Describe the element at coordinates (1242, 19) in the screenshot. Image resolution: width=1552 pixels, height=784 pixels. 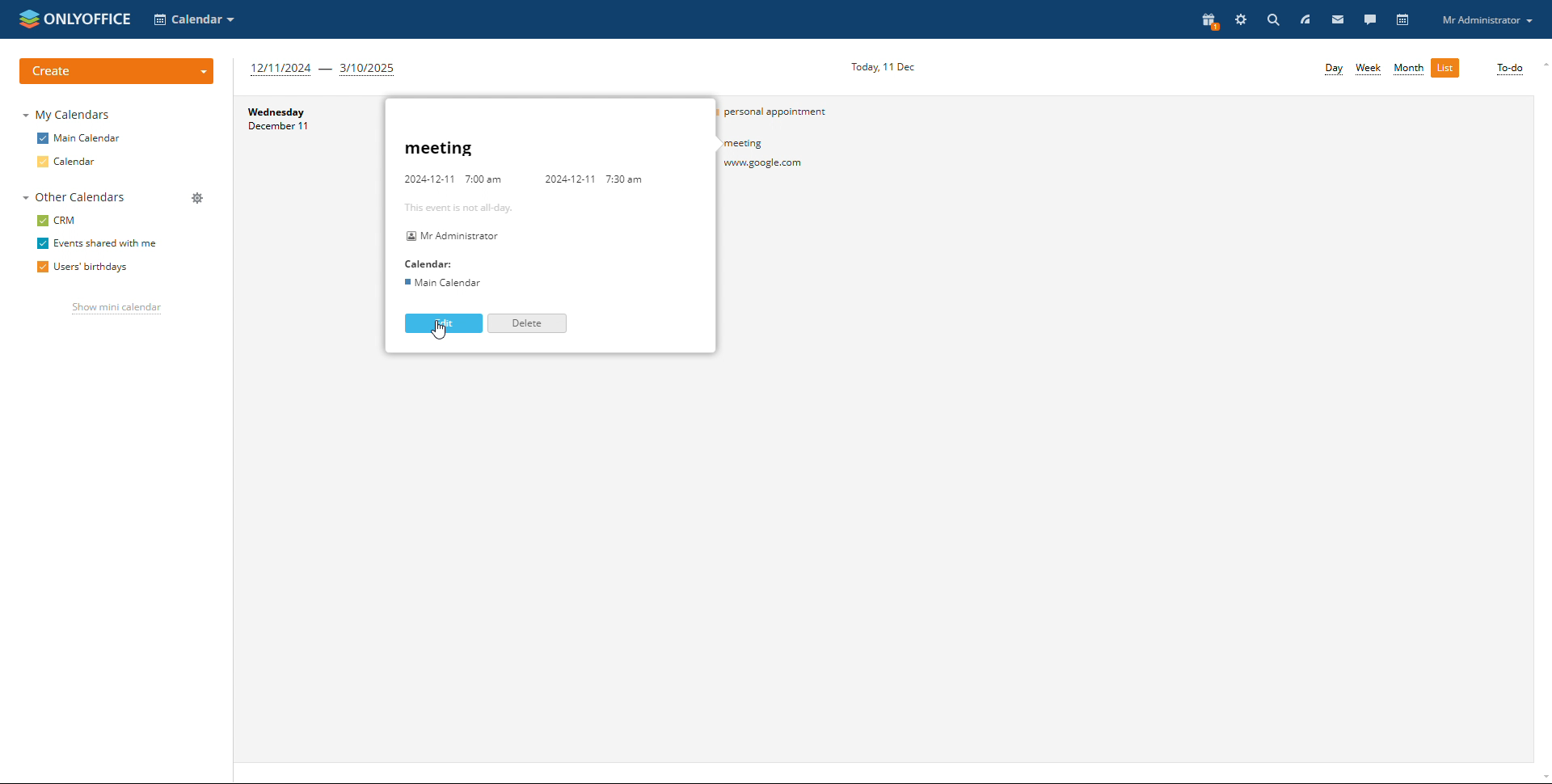
I see `settings` at that location.